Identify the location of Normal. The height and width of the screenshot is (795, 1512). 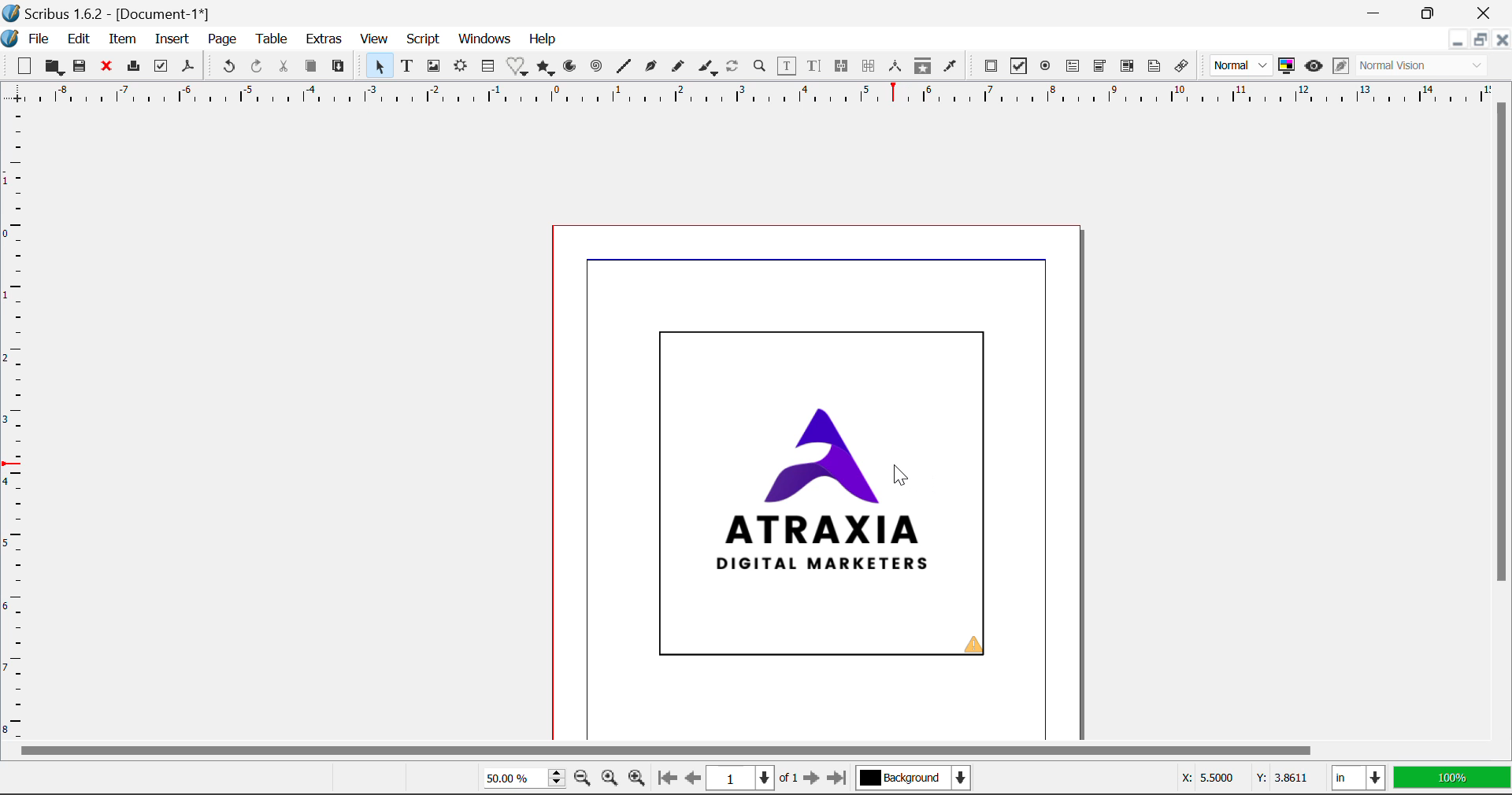
(1242, 65).